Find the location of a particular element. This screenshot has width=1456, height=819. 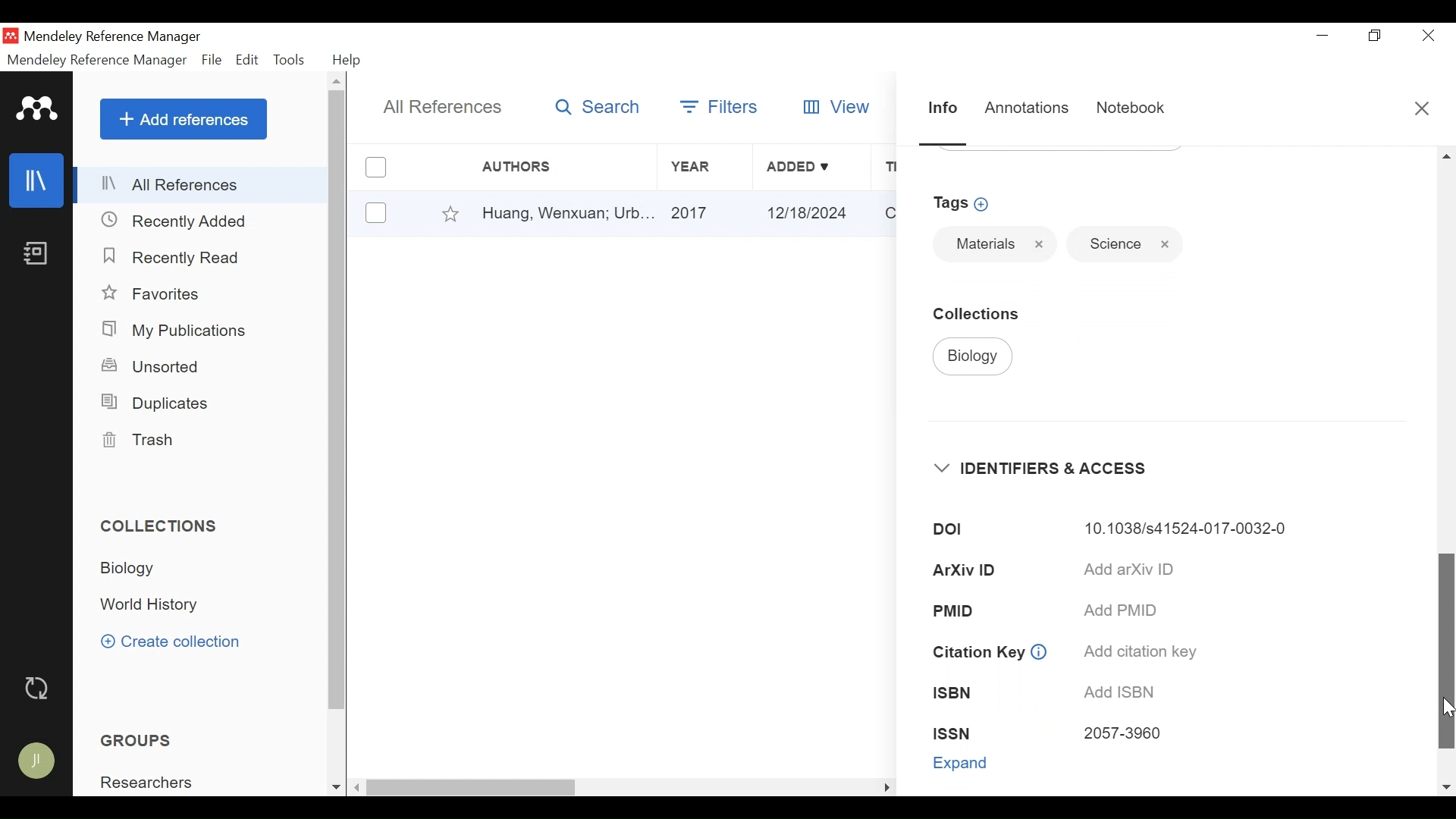

12/18/2024 is located at coordinates (811, 212).